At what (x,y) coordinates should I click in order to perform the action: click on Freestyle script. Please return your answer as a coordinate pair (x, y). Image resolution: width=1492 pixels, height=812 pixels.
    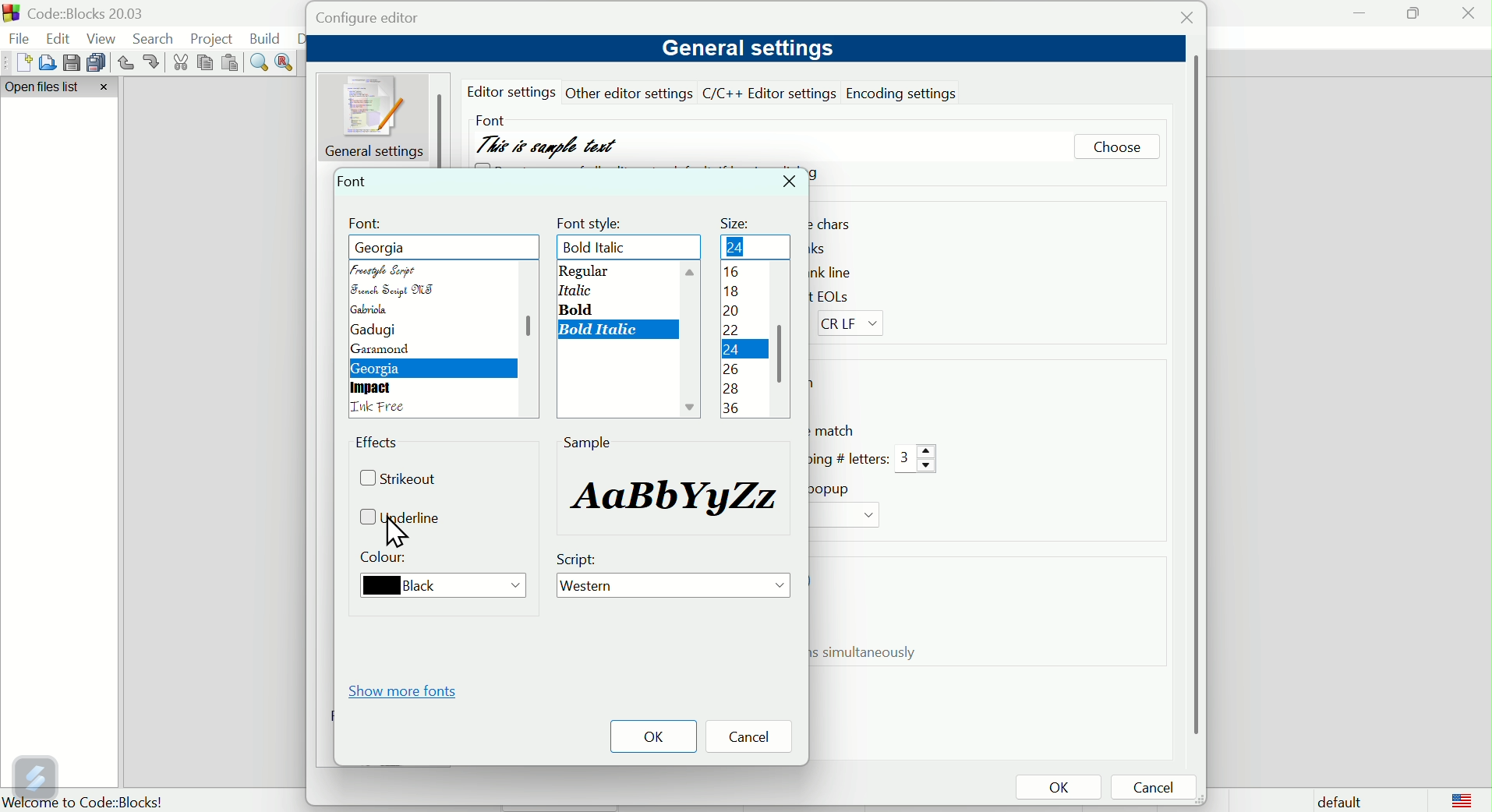
    Looking at the image, I should click on (389, 269).